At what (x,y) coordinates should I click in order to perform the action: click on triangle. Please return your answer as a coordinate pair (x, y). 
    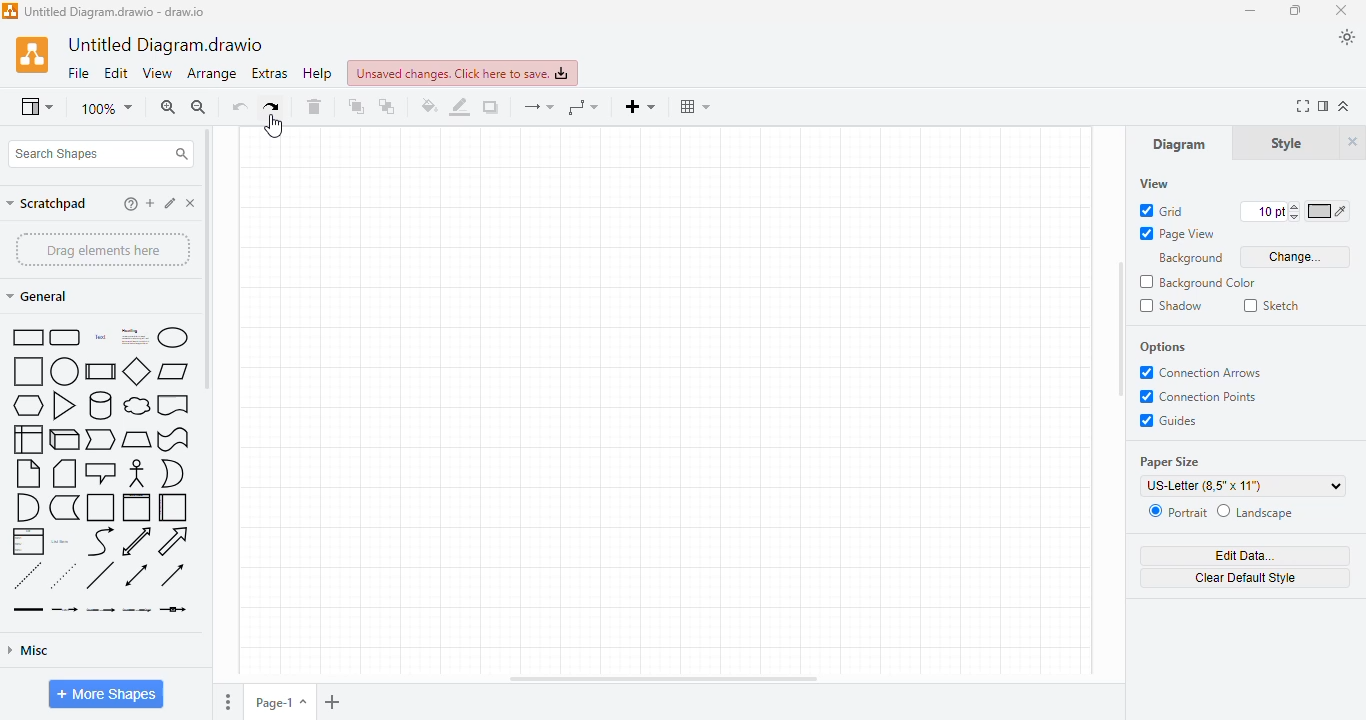
    Looking at the image, I should click on (65, 406).